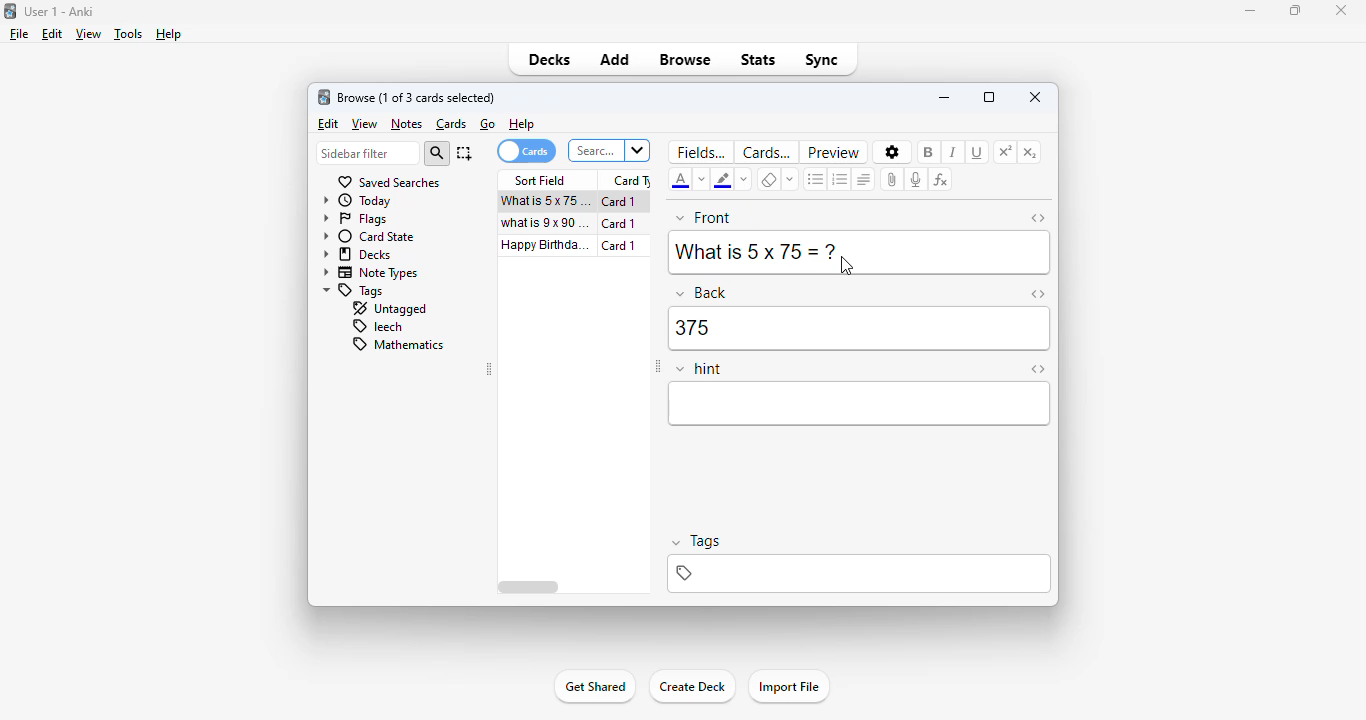  Describe the element at coordinates (541, 181) in the screenshot. I see `sort field` at that location.